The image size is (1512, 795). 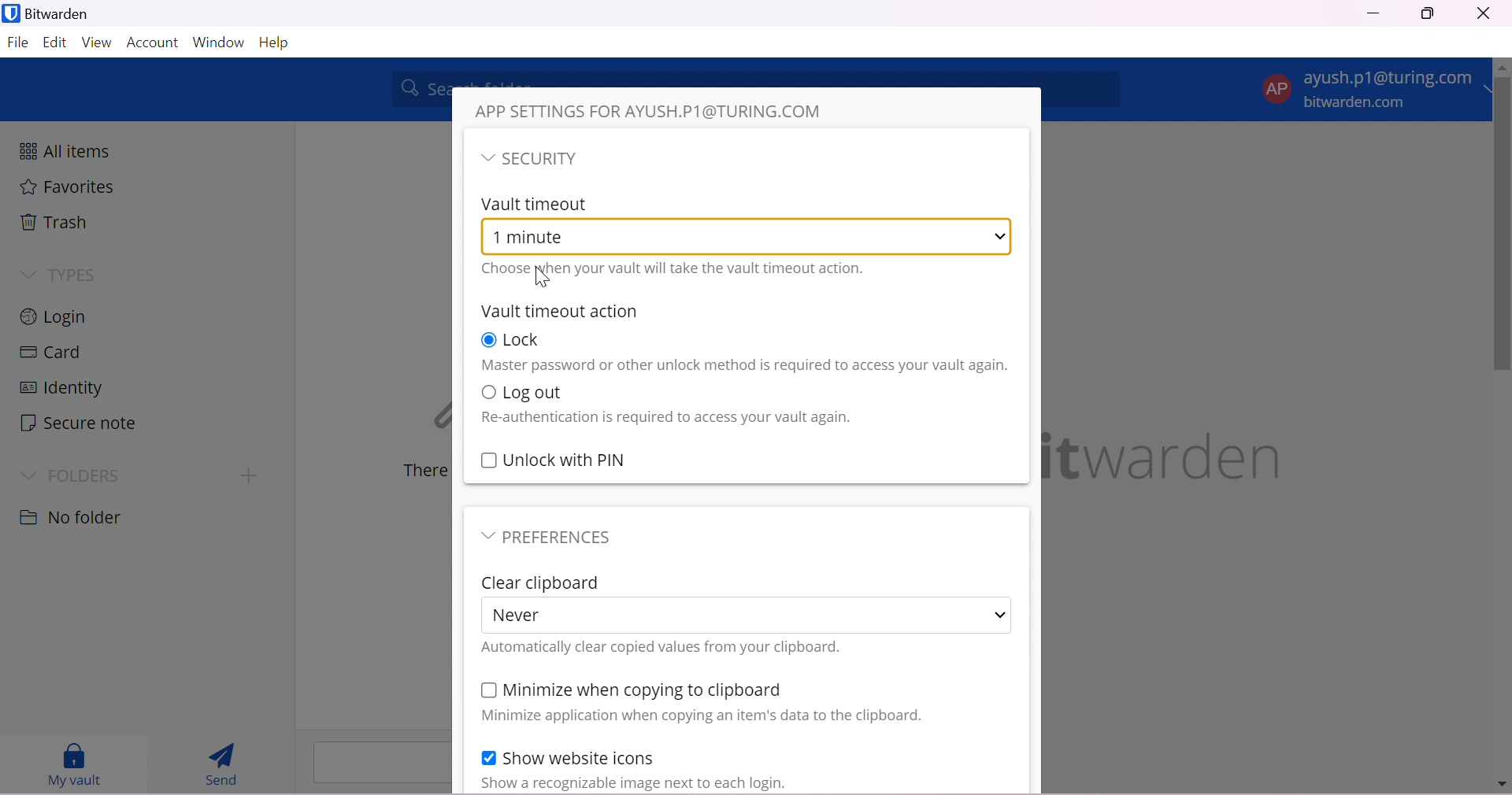 I want to click on FOLDERS, so click(x=87, y=475).